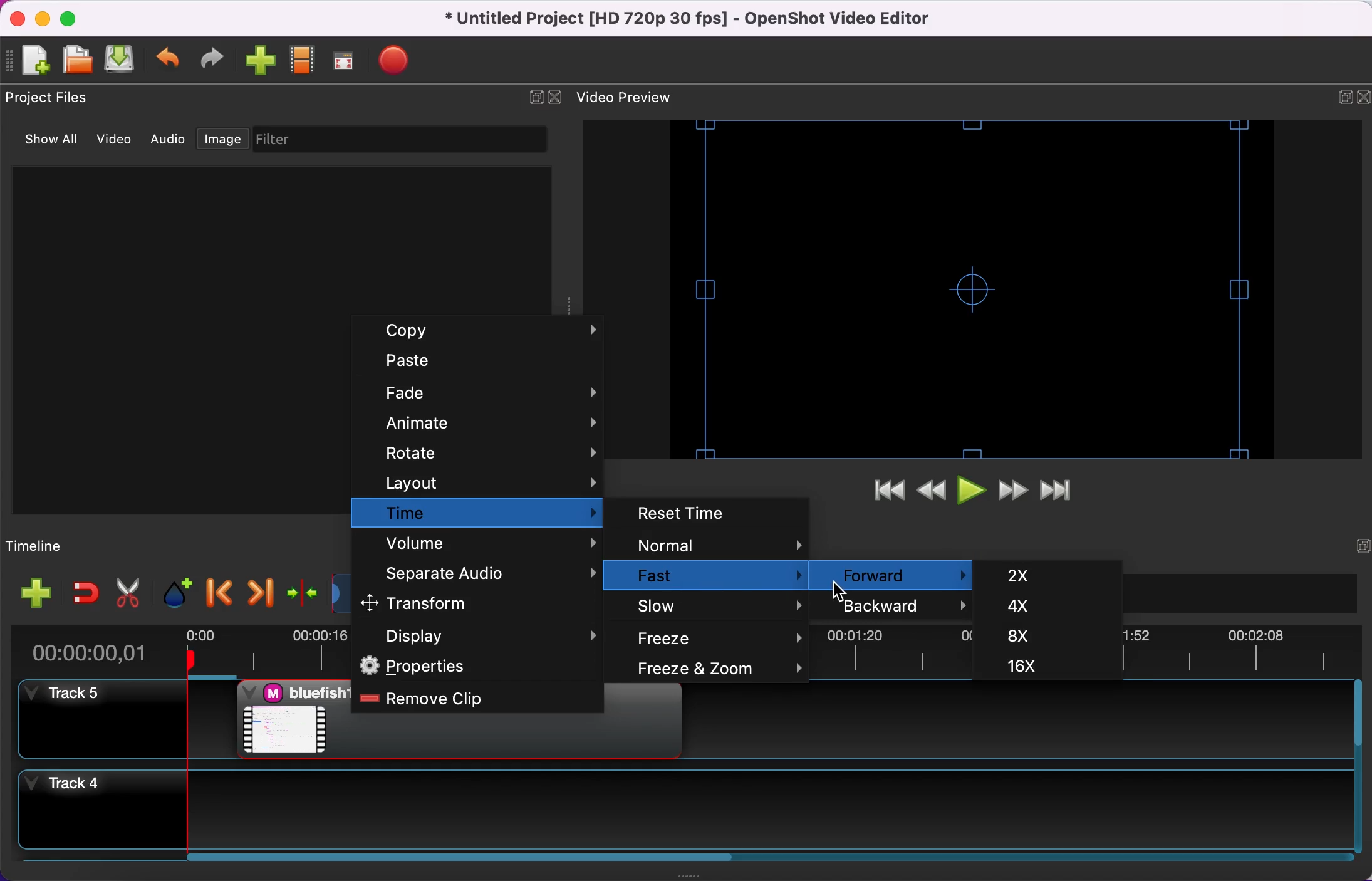  I want to click on cut, so click(128, 592).